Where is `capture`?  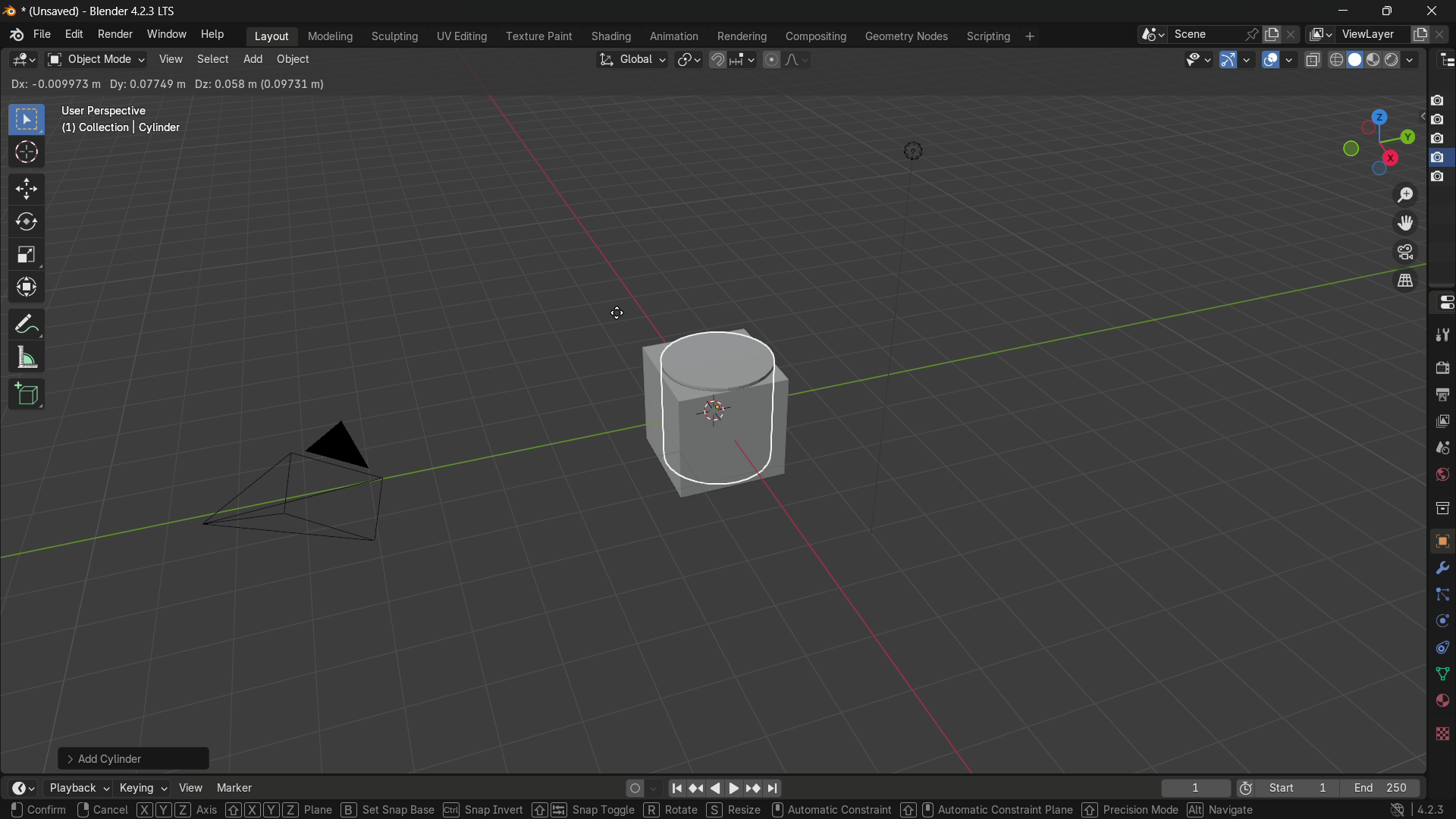
capture is located at coordinates (1439, 121).